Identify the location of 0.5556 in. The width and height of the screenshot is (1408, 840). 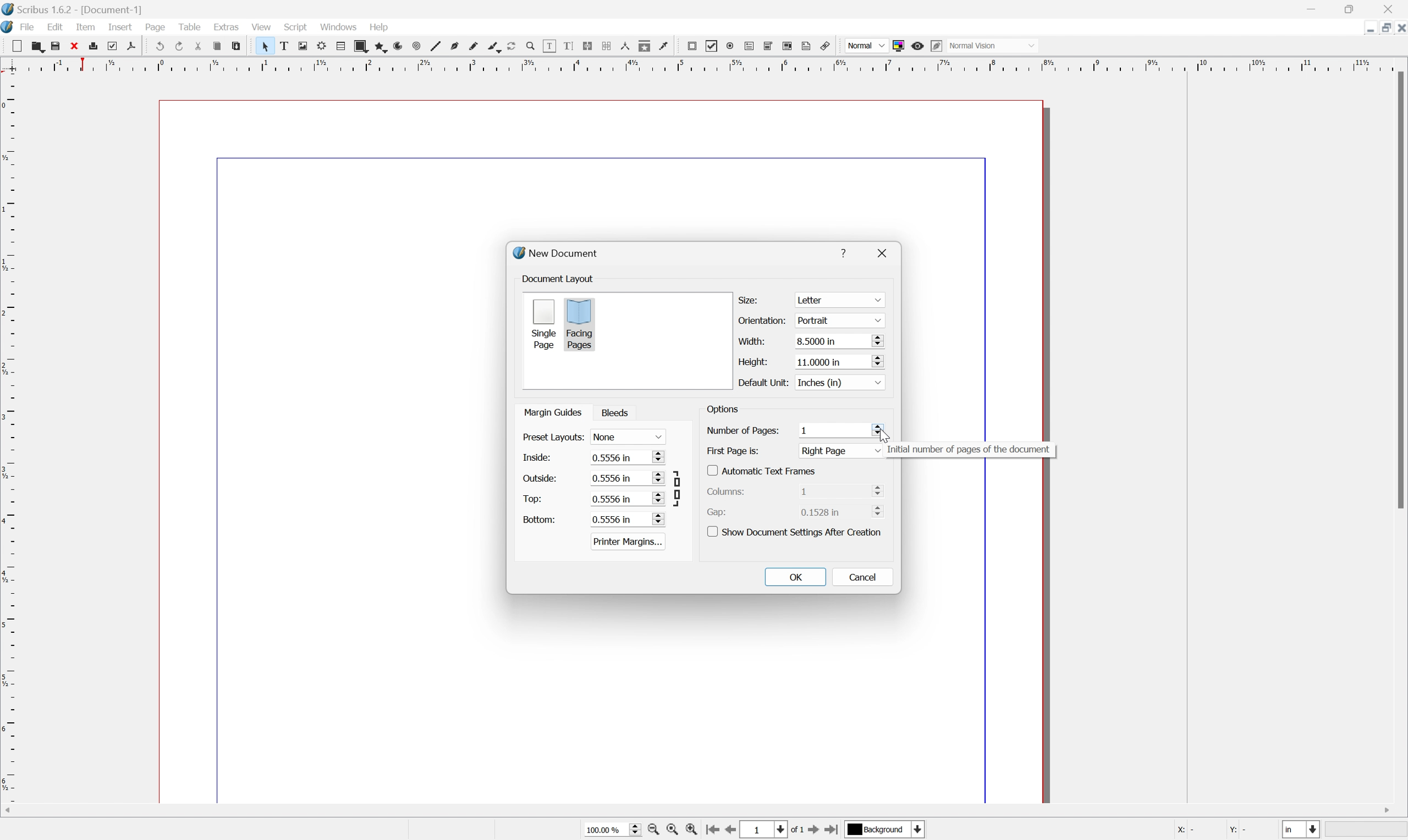
(627, 458).